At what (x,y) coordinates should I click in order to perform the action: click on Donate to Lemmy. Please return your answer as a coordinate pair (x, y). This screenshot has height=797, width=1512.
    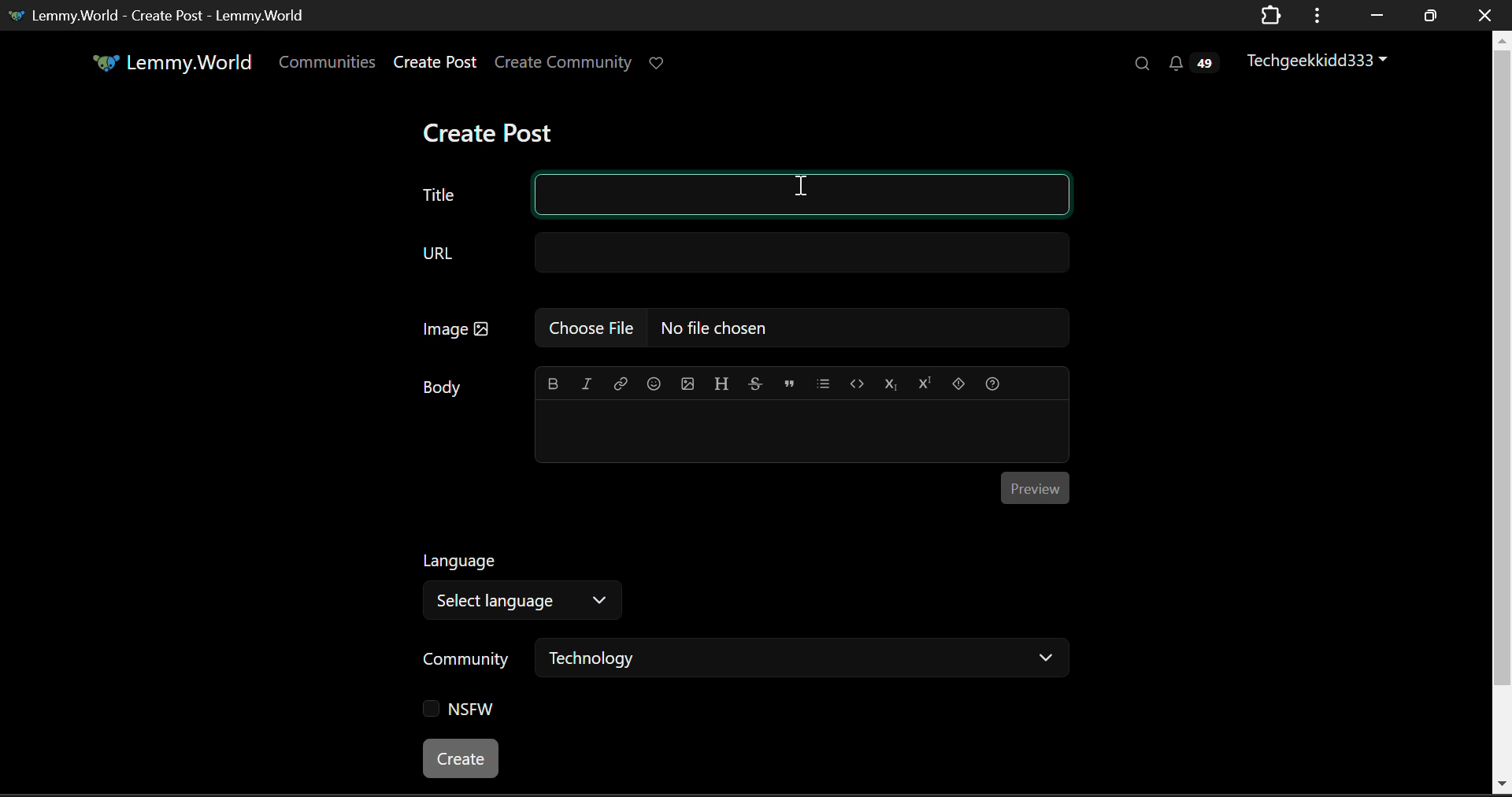
    Looking at the image, I should click on (658, 65).